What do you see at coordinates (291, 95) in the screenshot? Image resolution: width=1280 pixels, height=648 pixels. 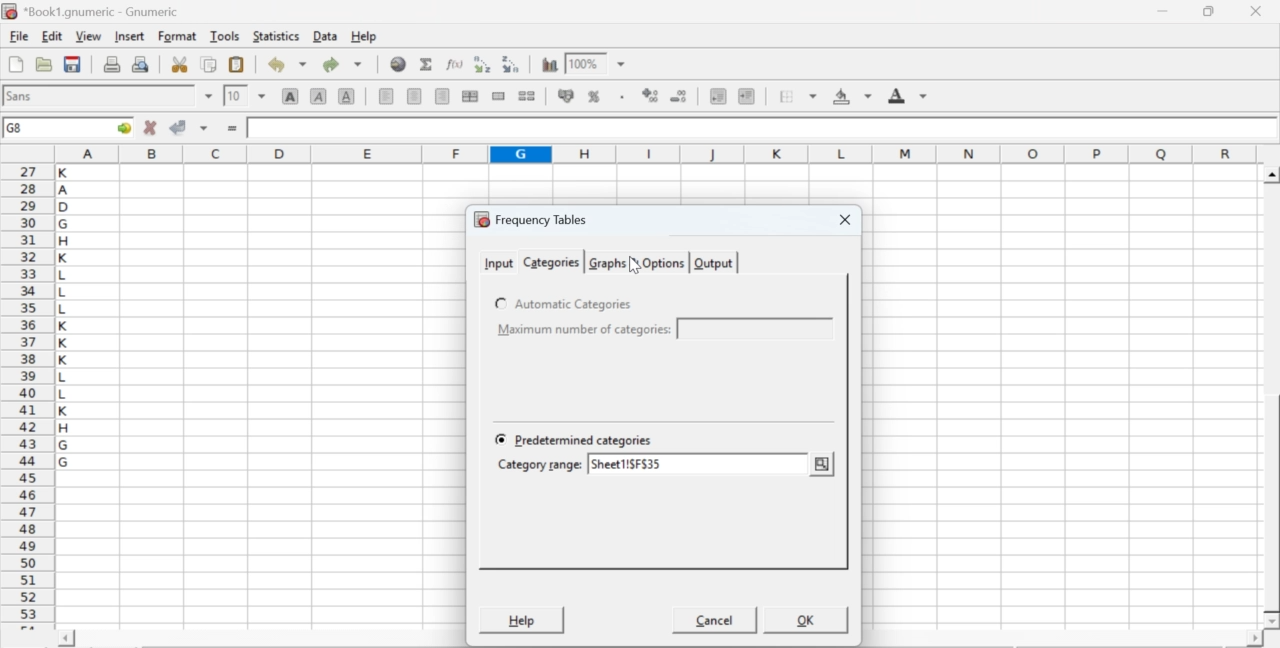 I see `bold` at bounding box center [291, 95].